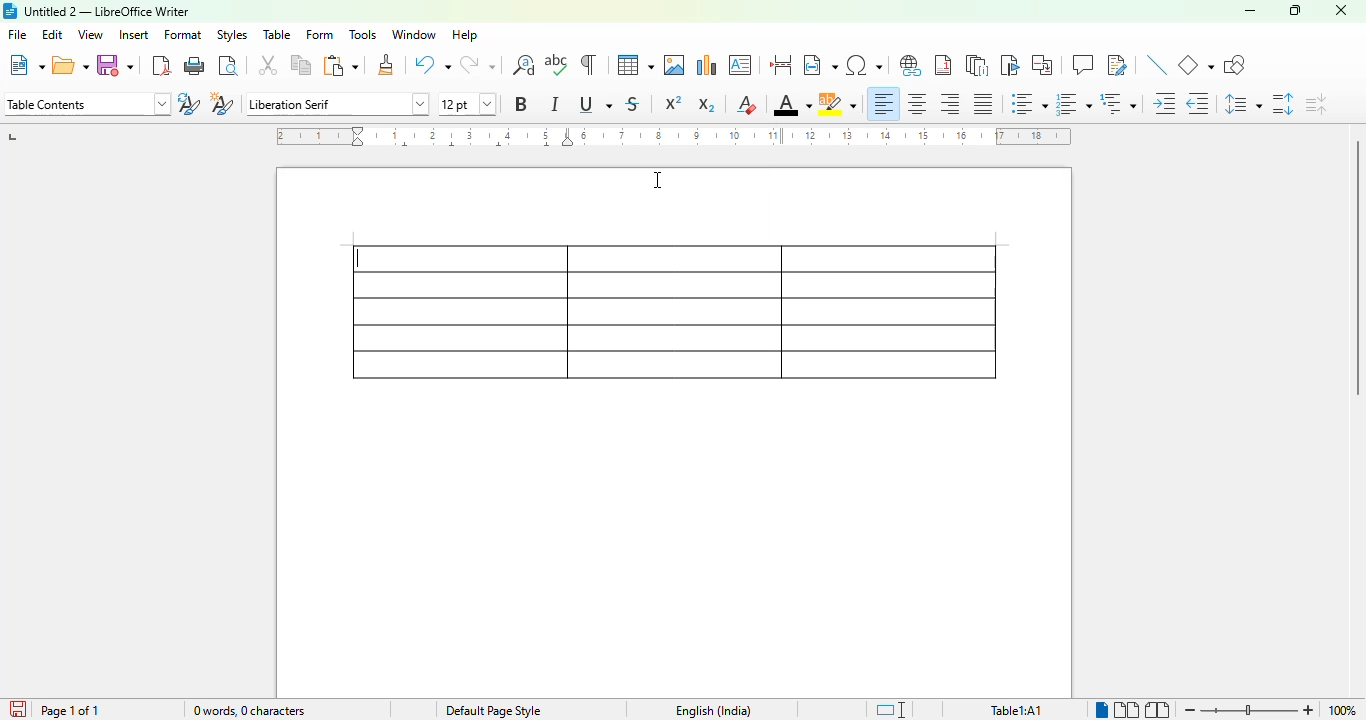 This screenshot has width=1366, height=720. I want to click on toggle formatting marks, so click(588, 64).